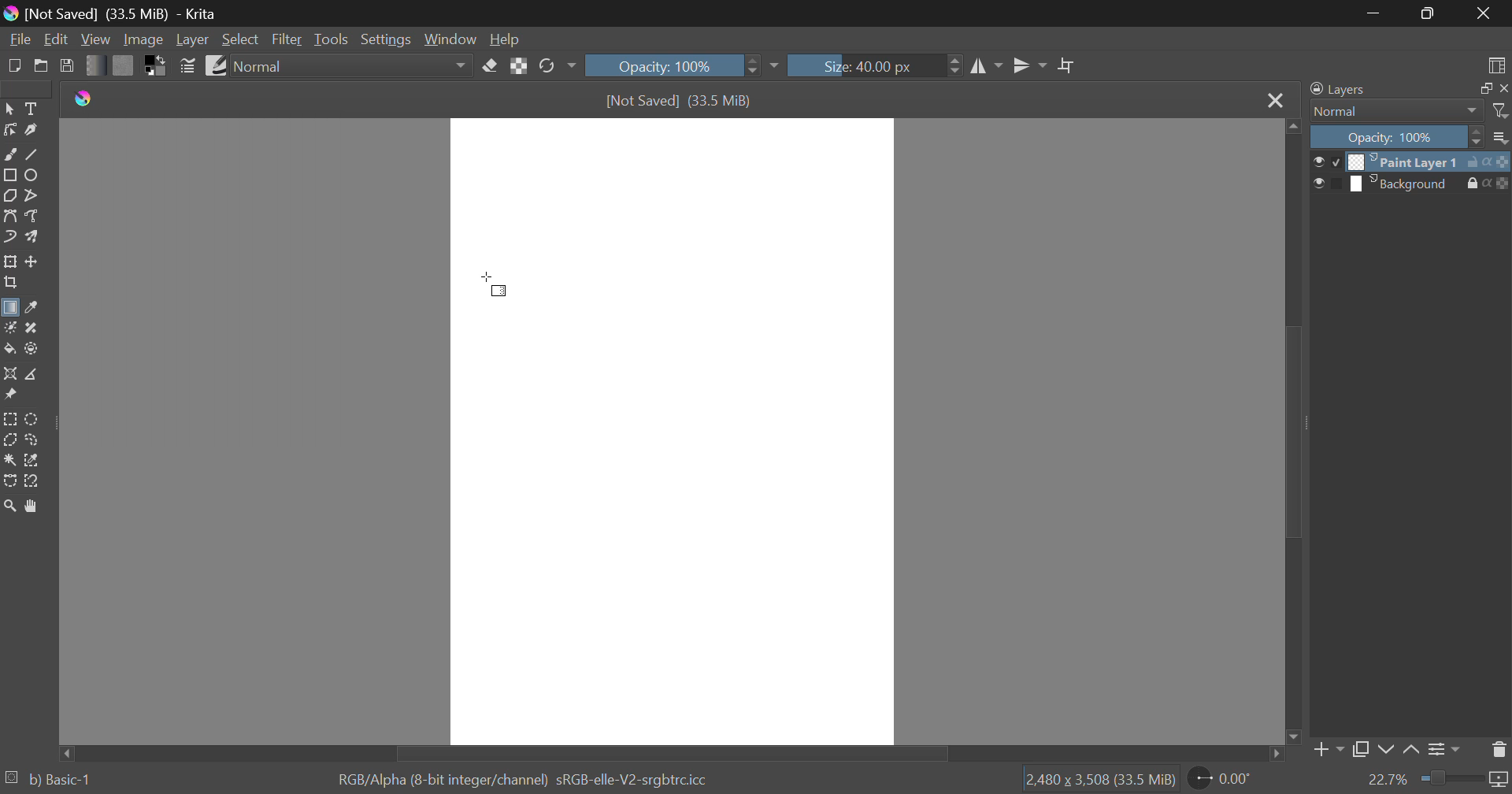  Describe the element at coordinates (1406, 185) in the screenshot. I see `Background` at that location.